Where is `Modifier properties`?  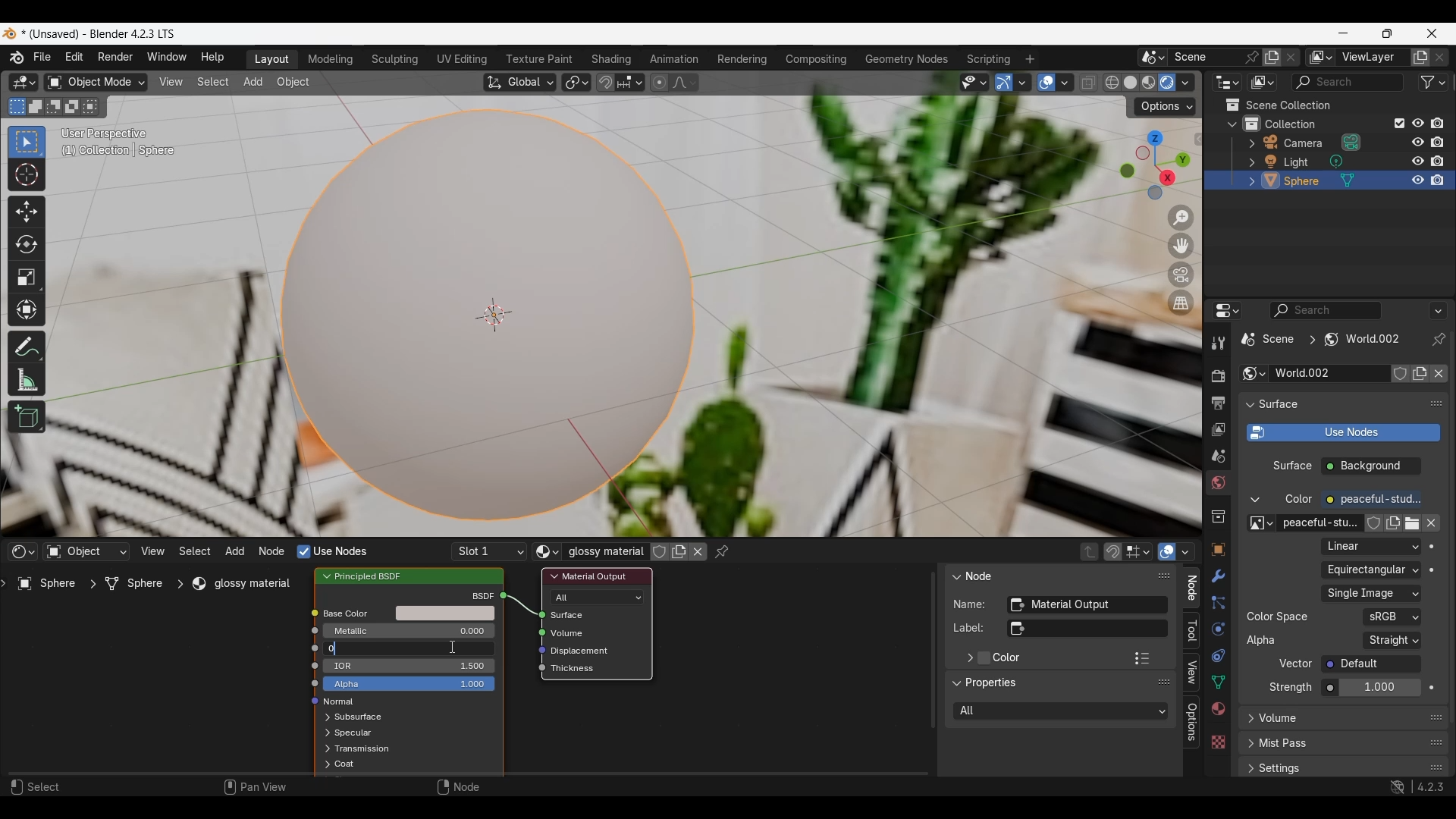
Modifier properties is located at coordinates (1217, 576).